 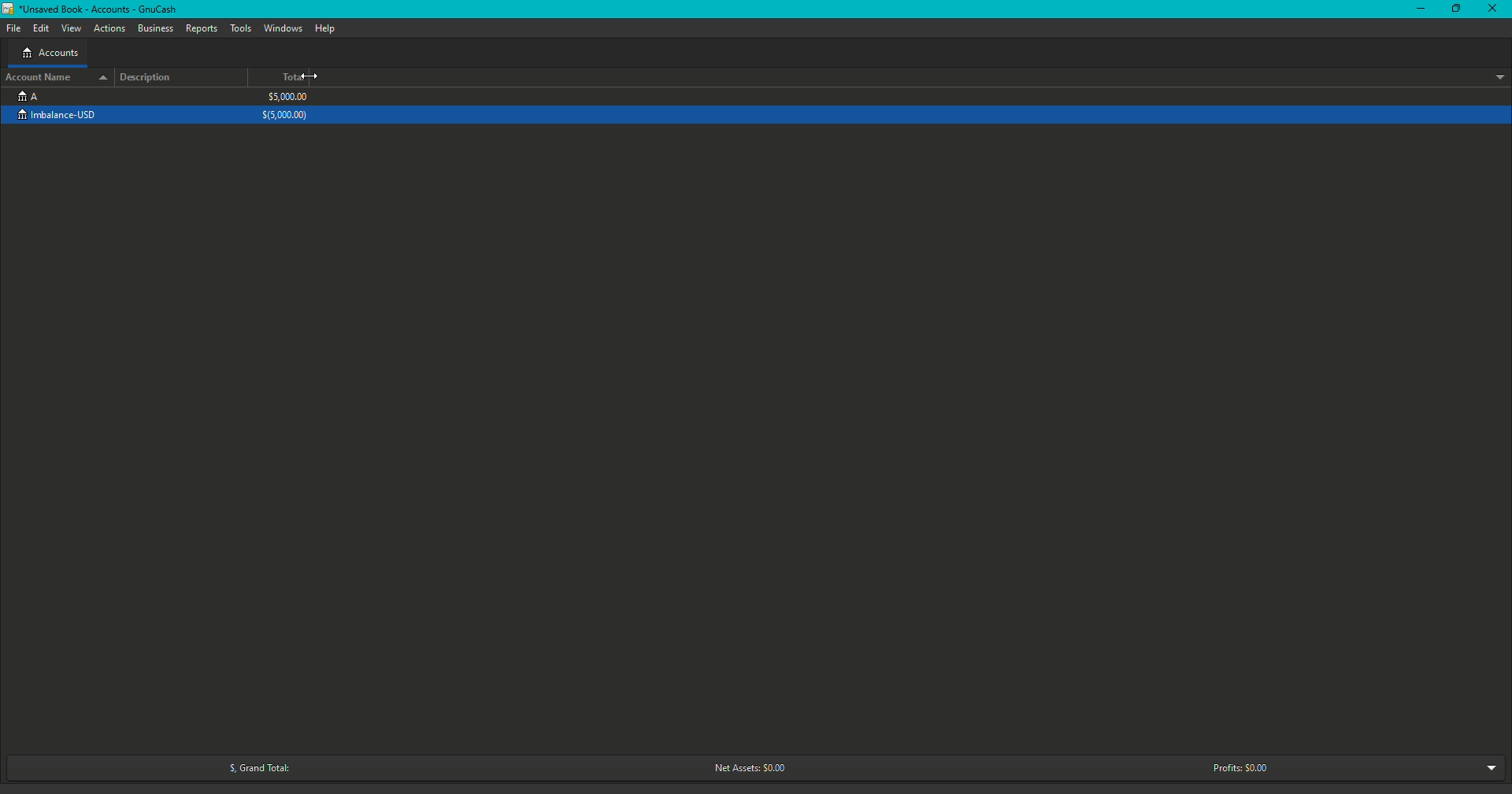 What do you see at coordinates (746, 769) in the screenshot?
I see `Net Assets` at bounding box center [746, 769].